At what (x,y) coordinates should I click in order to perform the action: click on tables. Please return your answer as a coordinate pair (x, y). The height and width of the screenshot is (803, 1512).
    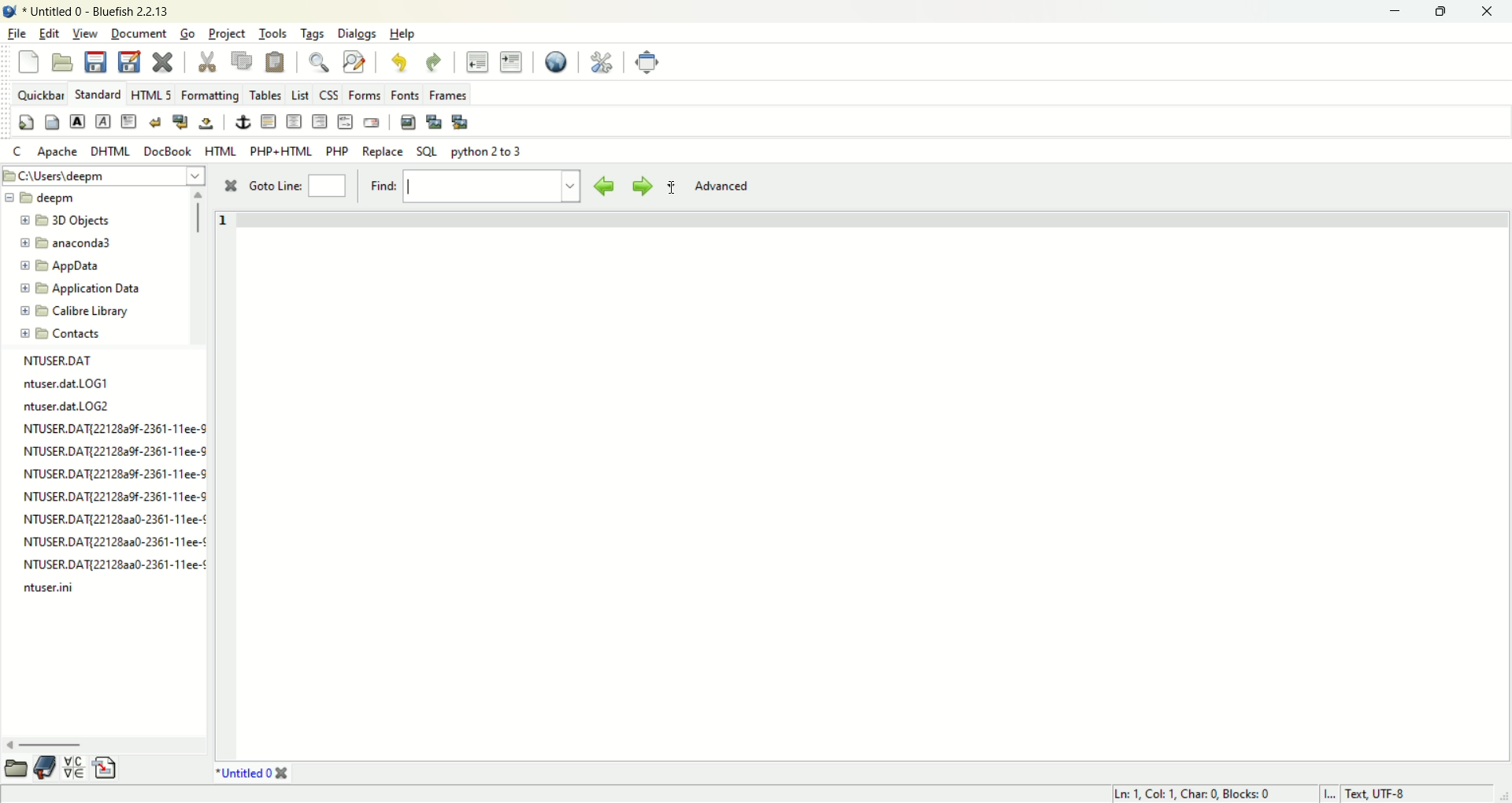
    Looking at the image, I should click on (265, 94).